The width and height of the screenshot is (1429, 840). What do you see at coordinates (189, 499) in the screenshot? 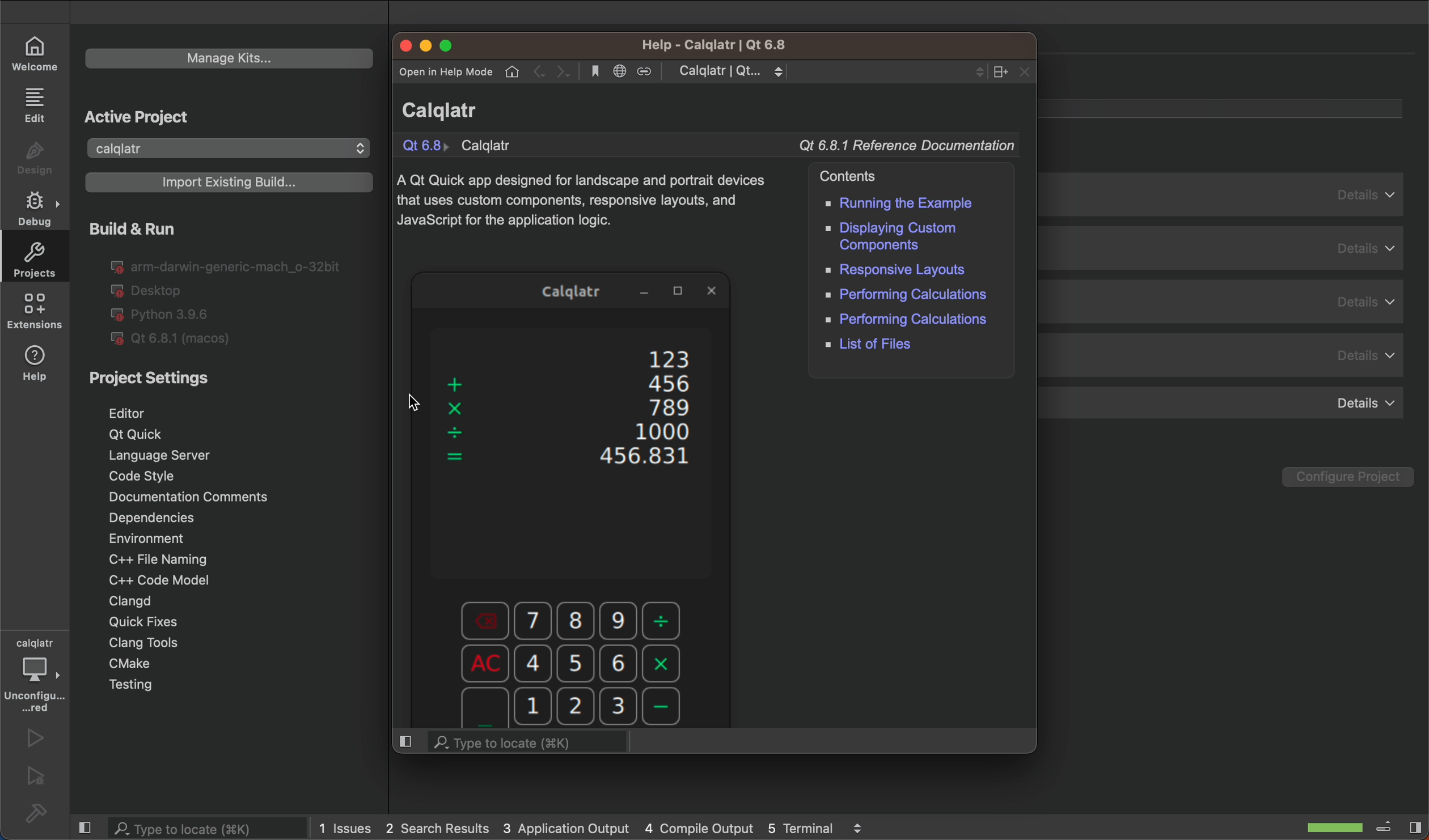
I see `documentation comments` at bounding box center [189, 499].